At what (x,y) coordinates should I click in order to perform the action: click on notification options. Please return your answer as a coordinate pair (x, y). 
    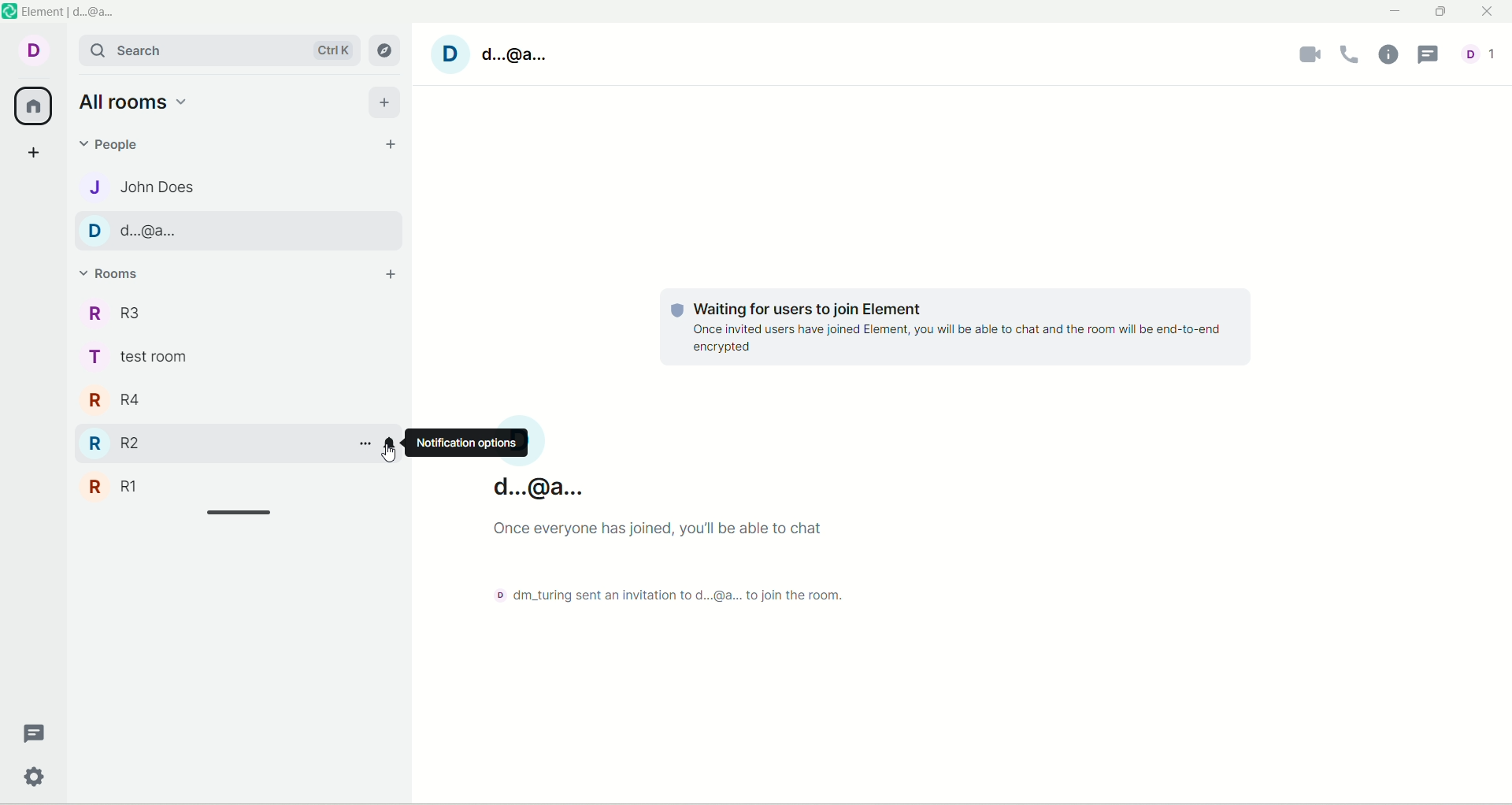
    Looking at the image, I should click on (469, 444).